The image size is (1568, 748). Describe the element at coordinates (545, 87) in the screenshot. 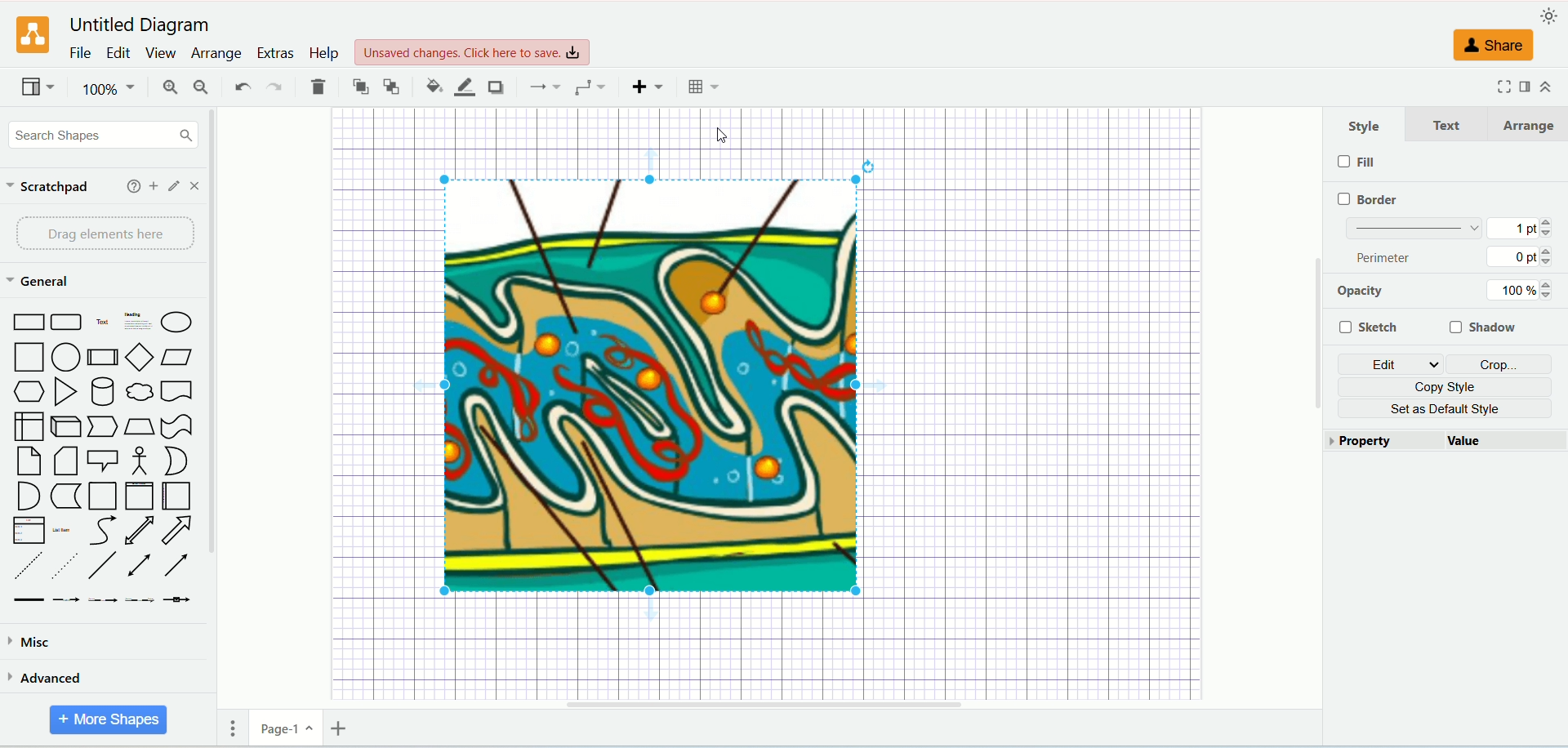

I see `connections` at that location.